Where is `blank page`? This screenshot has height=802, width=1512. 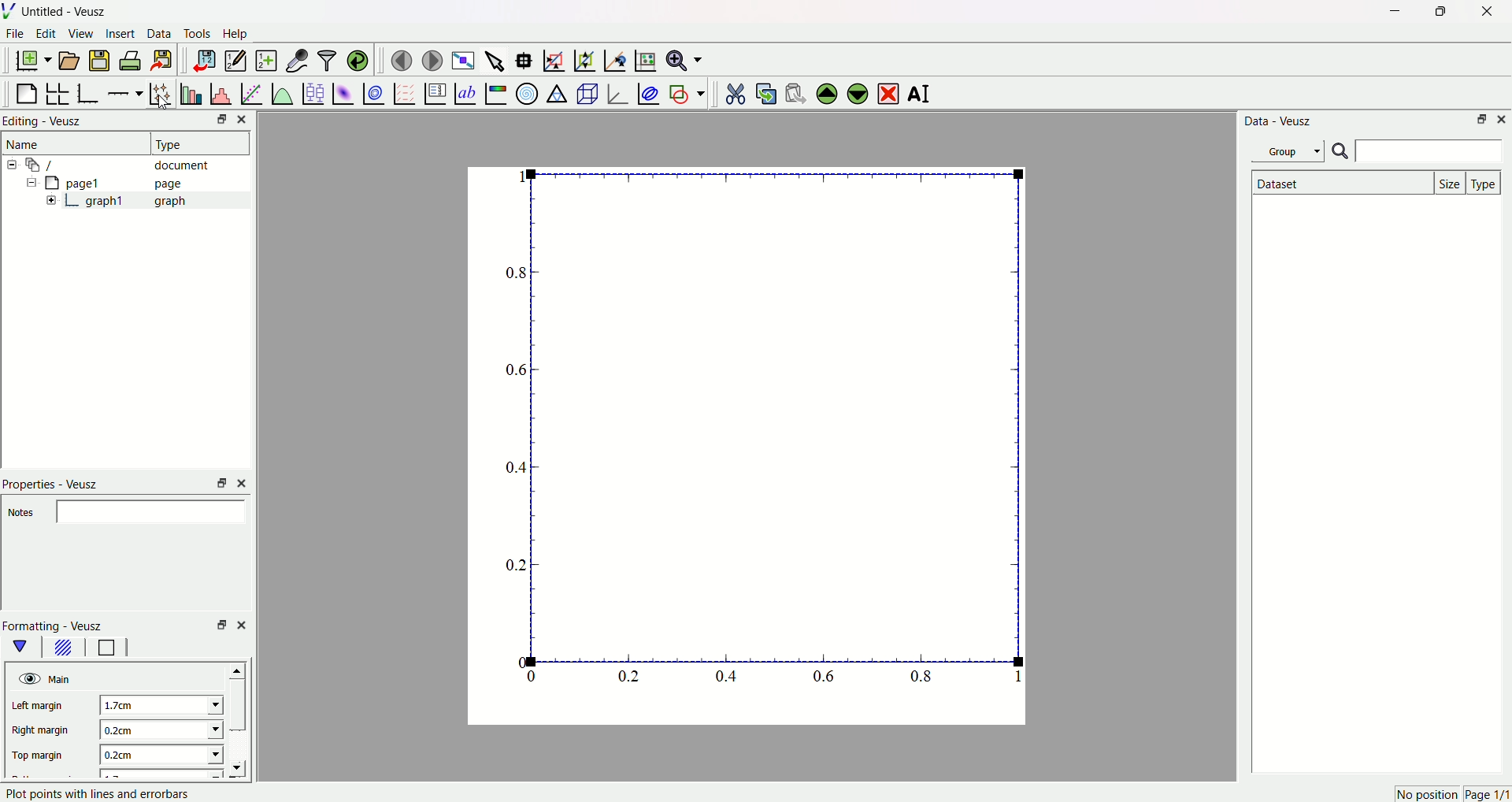
blank page is located at coordinates (28, 90).